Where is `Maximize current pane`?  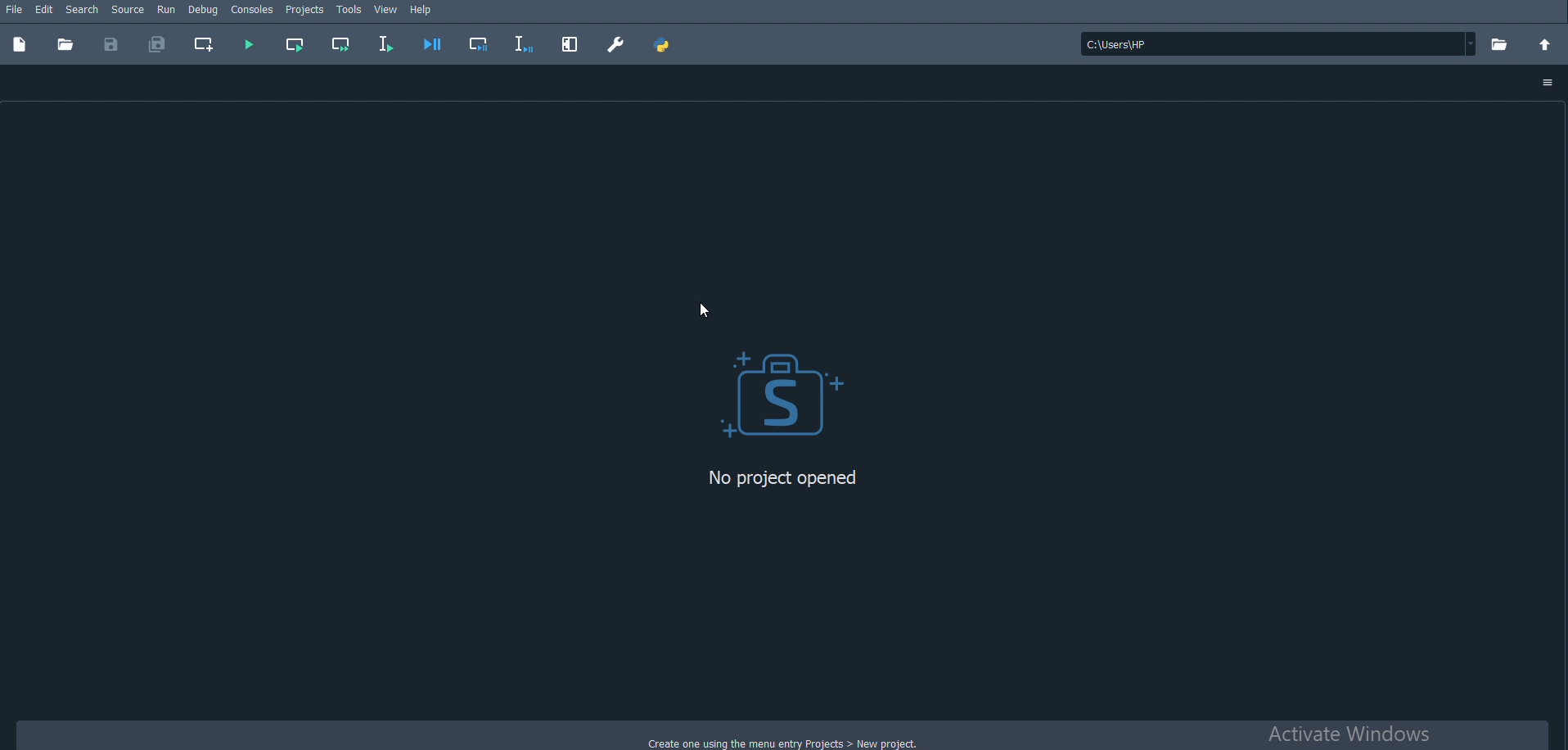 Maximize current pane is located at coordinates (569, 43).